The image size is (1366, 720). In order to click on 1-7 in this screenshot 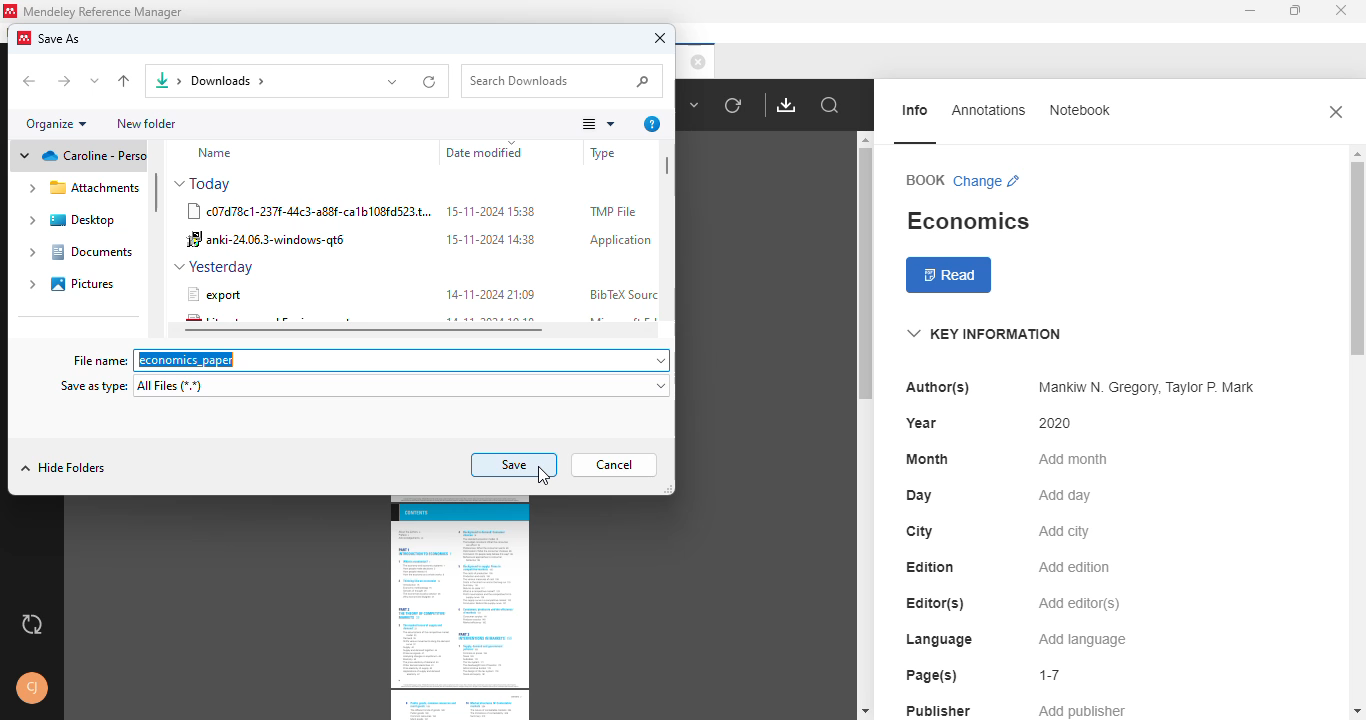, I will do `click(1051, 675)`.